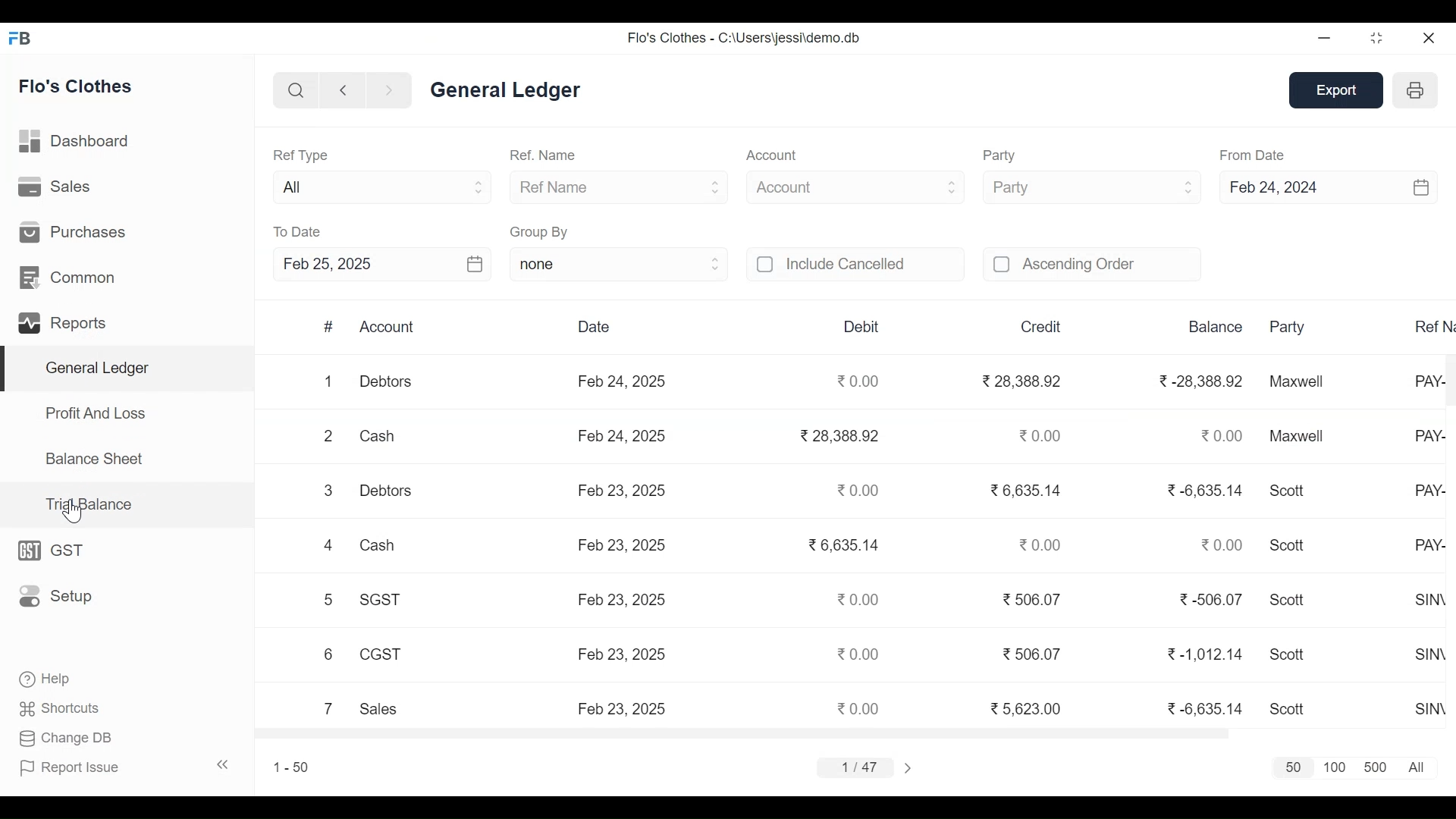 The width and height of the screenshot is (1456, 819). I want to click on Profit And Loss, so click(96, 413).